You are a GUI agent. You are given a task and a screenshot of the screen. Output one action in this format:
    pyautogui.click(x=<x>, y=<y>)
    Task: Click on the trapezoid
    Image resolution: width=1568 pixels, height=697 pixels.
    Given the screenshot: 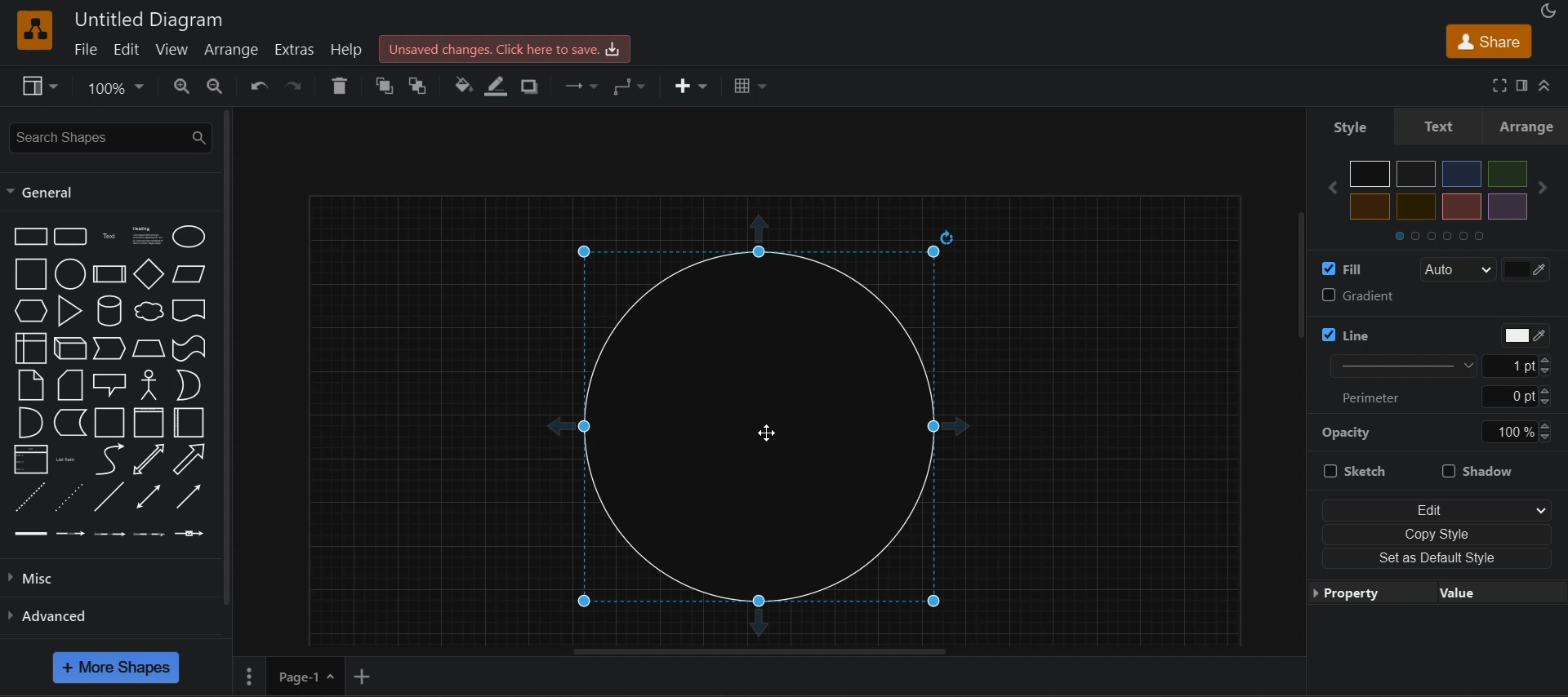 What is the action you would take?
    pyautogui.click(x=150, y=352)
    